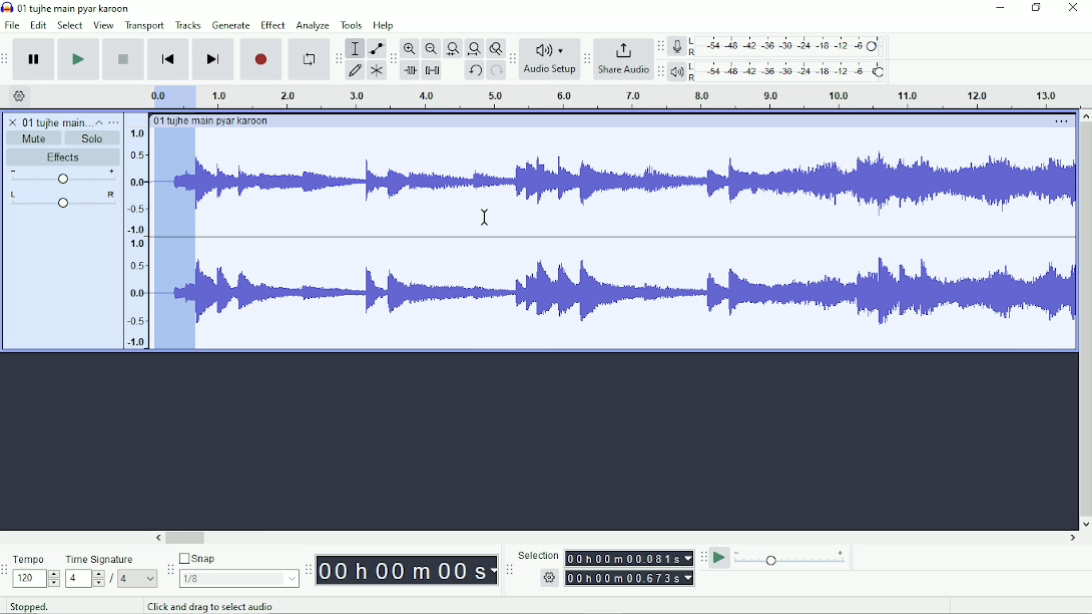  What do you see at coordinates (99, 122) in the screenshot?
I see `Collapse` at bounding box center [99, 122].